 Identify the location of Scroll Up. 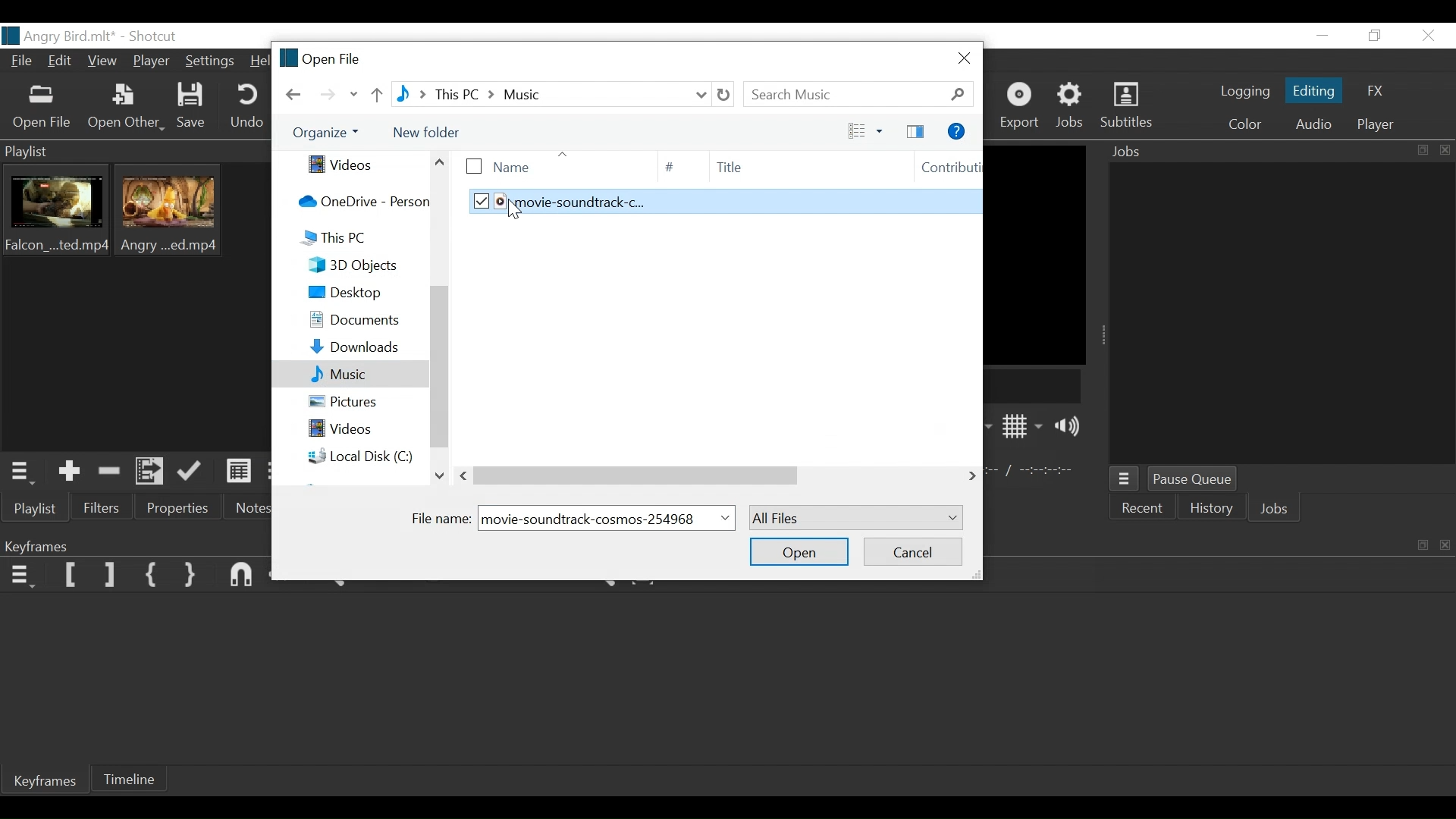
(440, 162).